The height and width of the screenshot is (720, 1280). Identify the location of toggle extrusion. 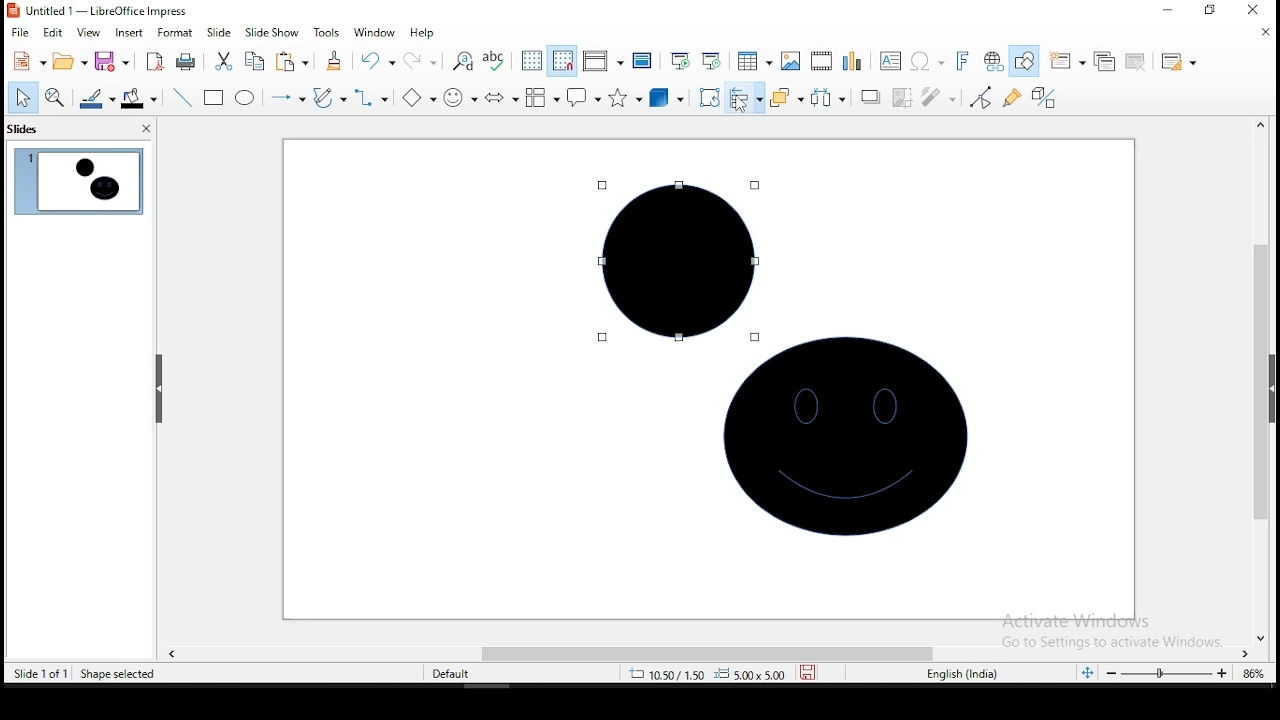
(1044, 100).